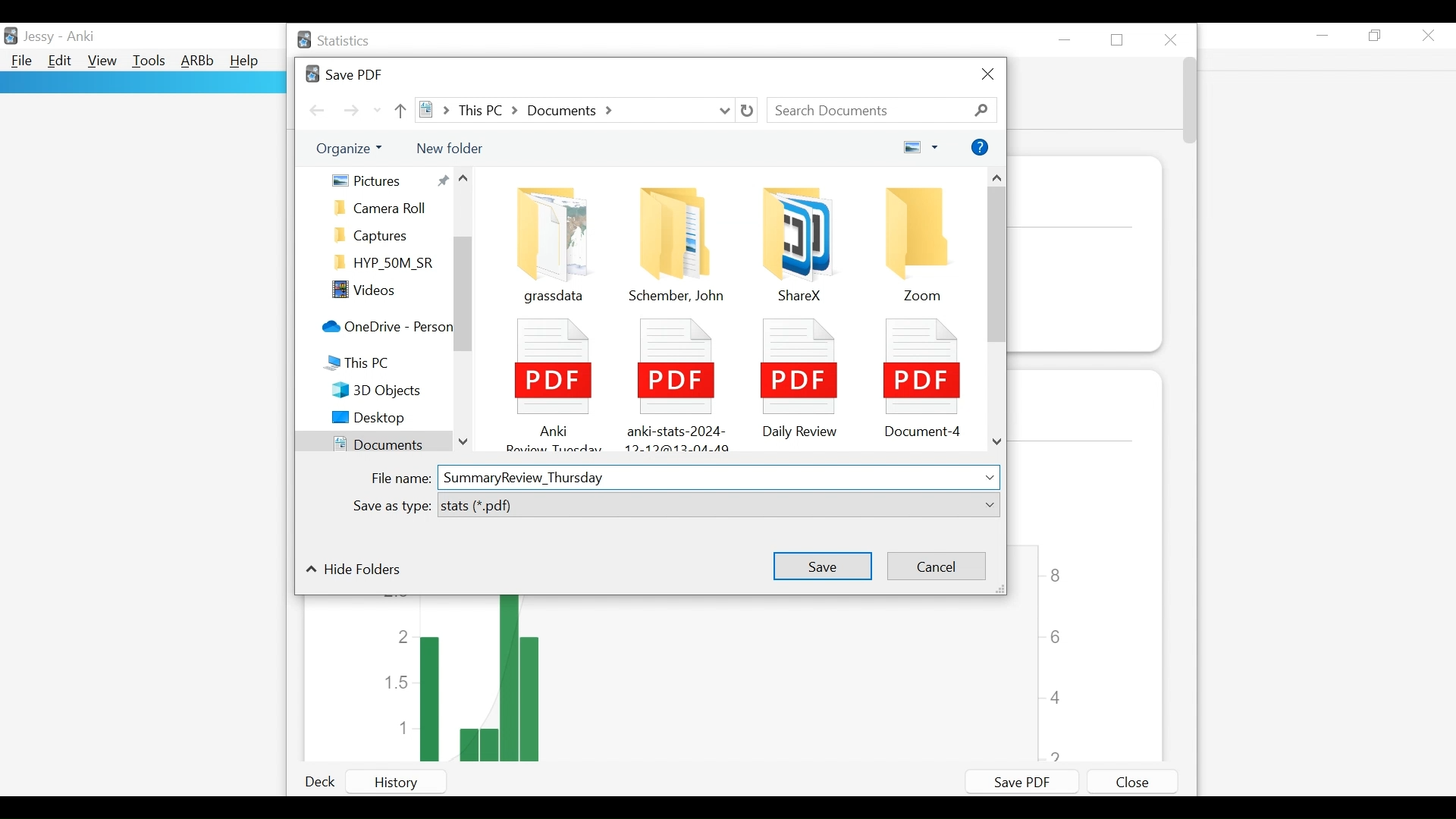 This screenshot has width=1456, height=819. I want to click on Help, so click(247, 61).